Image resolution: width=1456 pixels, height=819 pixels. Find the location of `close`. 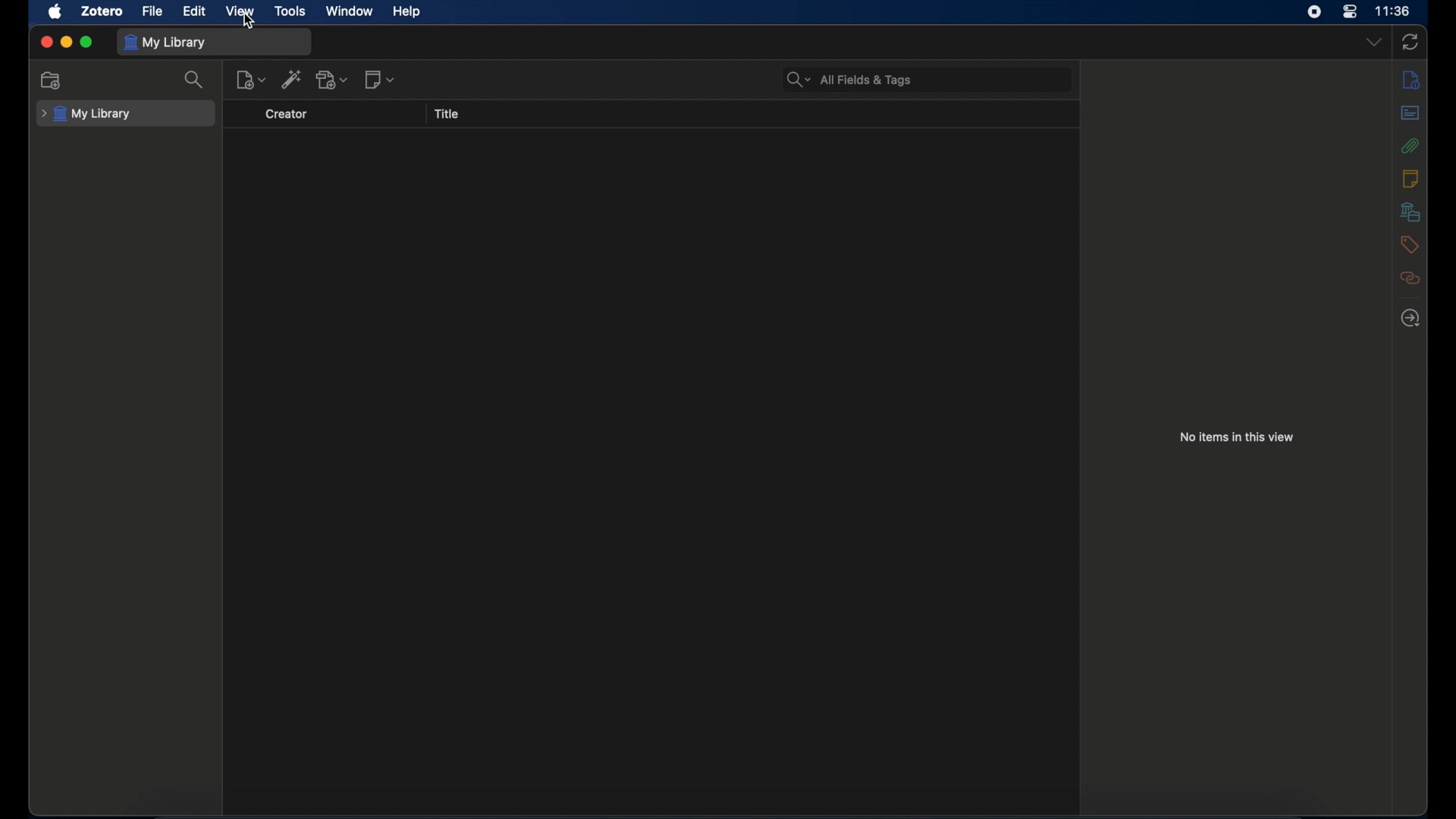

close is located at coordinates (46, 42).